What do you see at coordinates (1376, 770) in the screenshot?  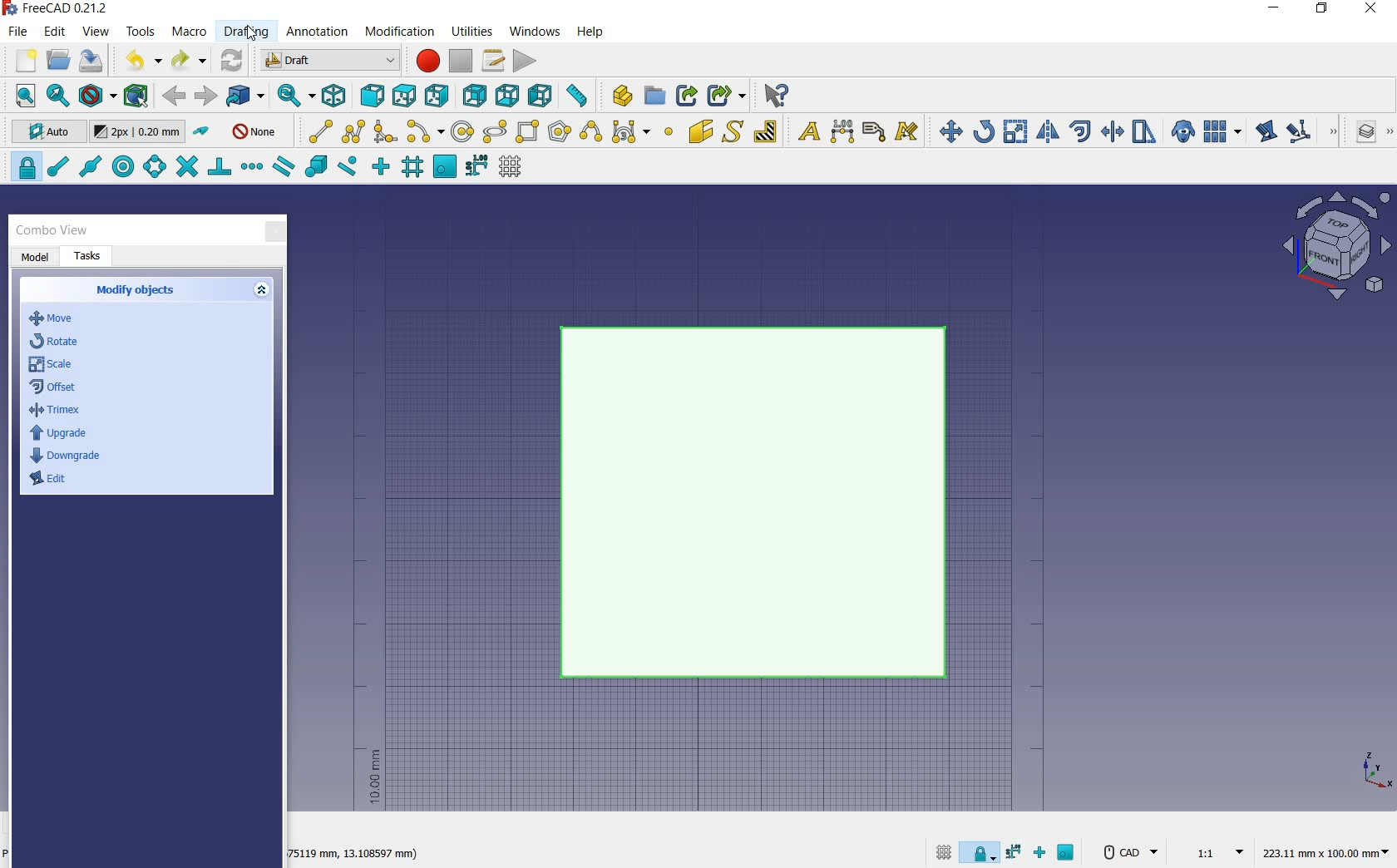 I see `xyz point` at bounding box center [1376, 770].